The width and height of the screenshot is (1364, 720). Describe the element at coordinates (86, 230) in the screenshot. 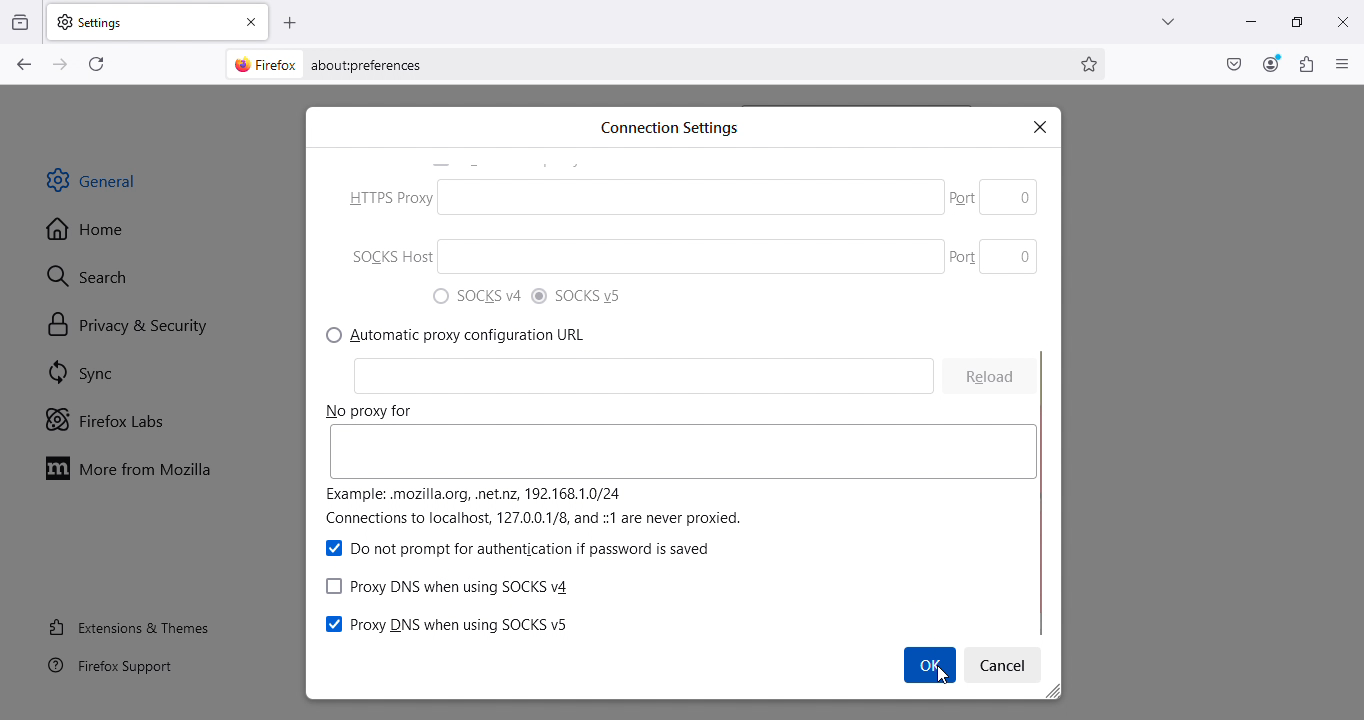

I see `Home` at that location.